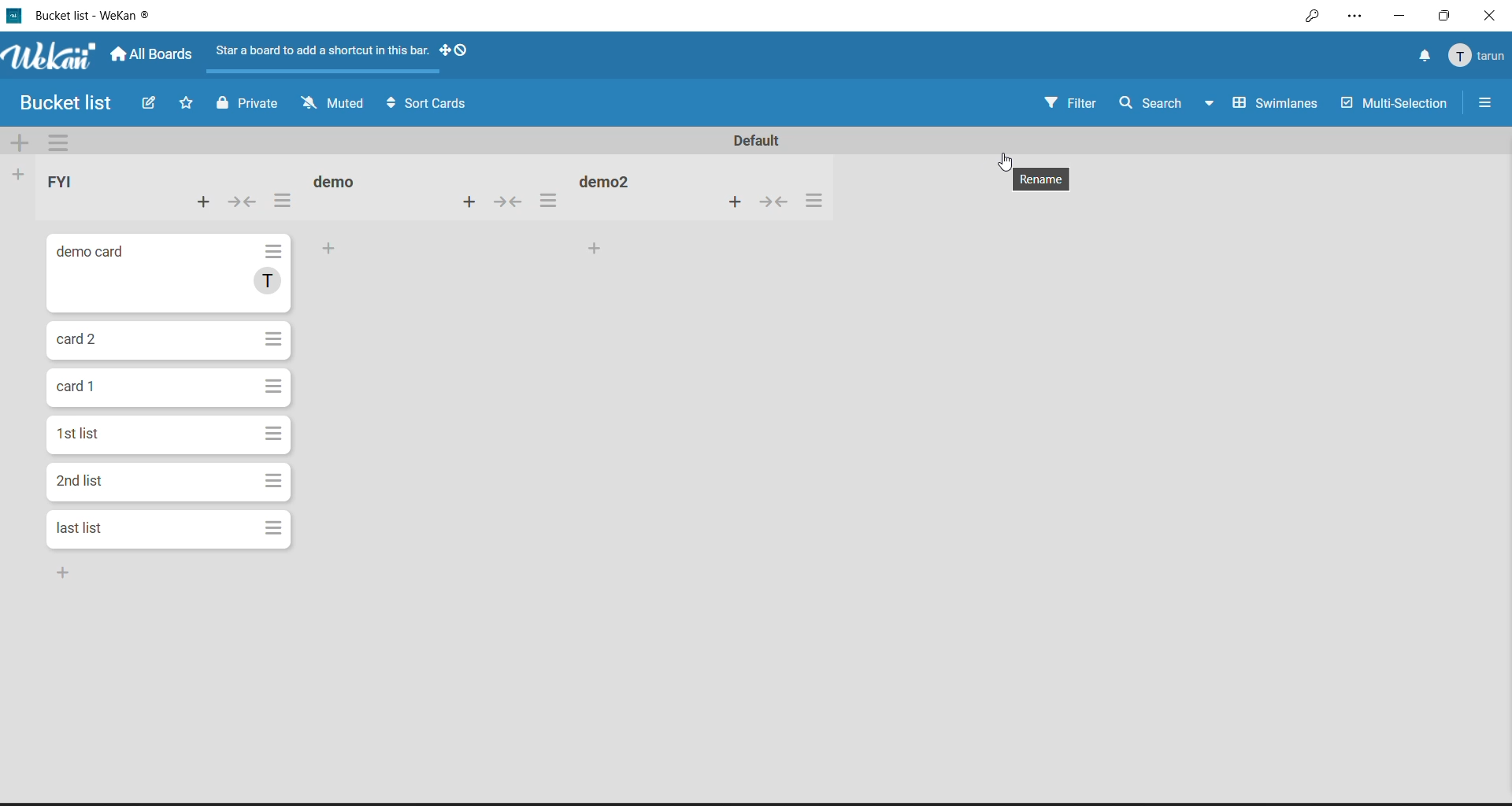 The image size is (1512, 806). I want to click on list actions, so click(283, 199).